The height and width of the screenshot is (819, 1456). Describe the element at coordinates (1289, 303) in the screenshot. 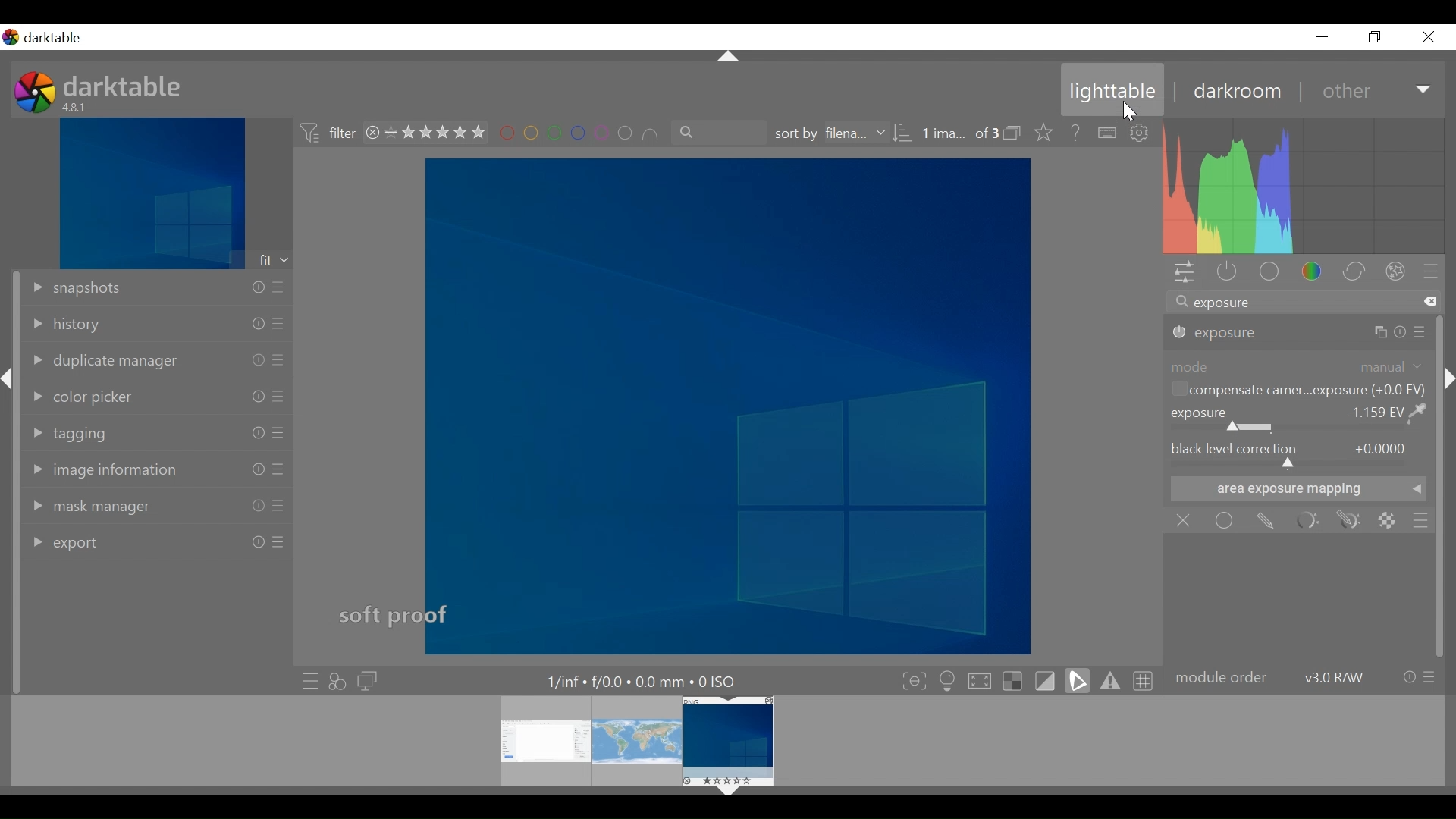

I see `search module by name or tag` at that location.